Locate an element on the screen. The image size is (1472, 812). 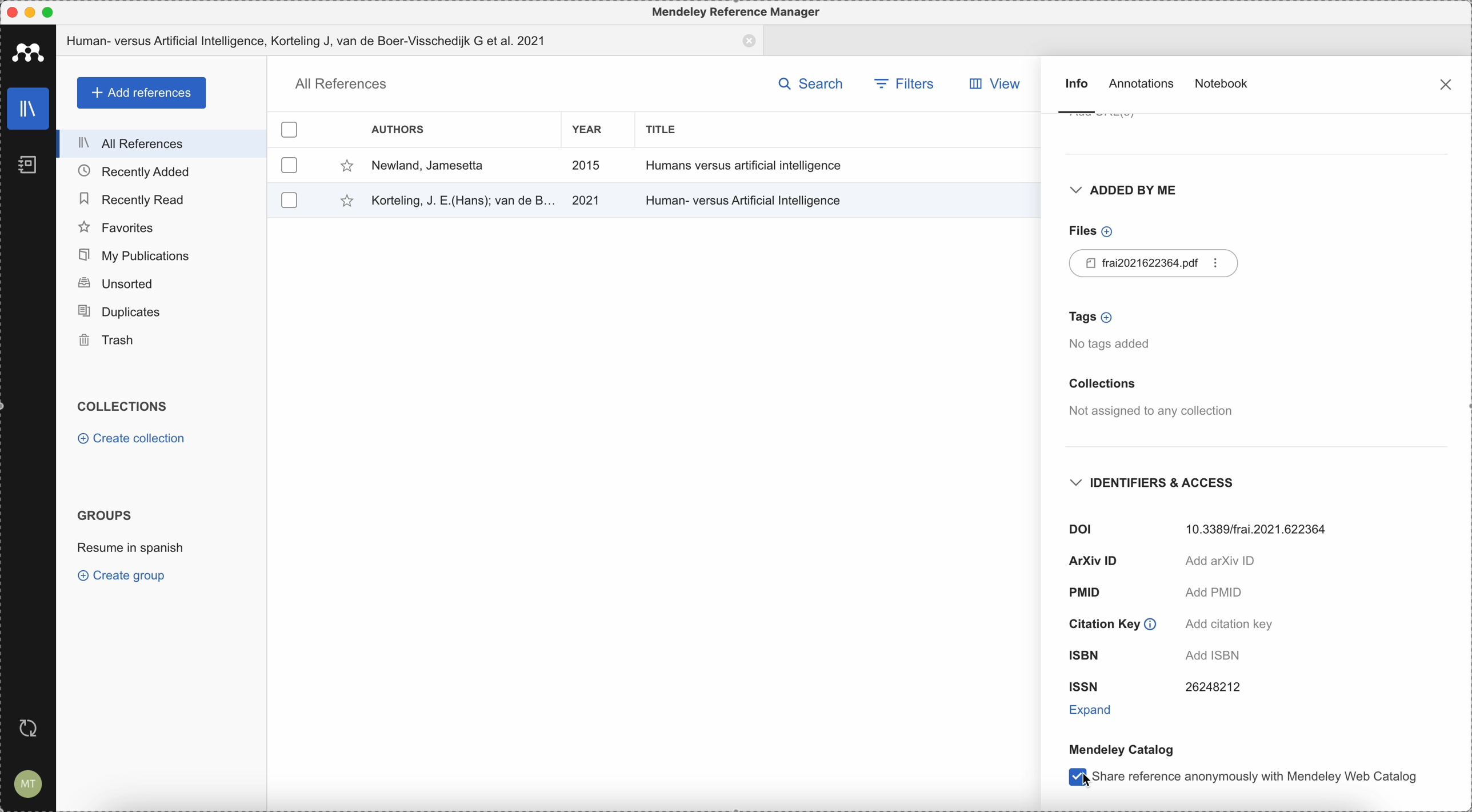
DOI is located at coordinates (1202, 527).